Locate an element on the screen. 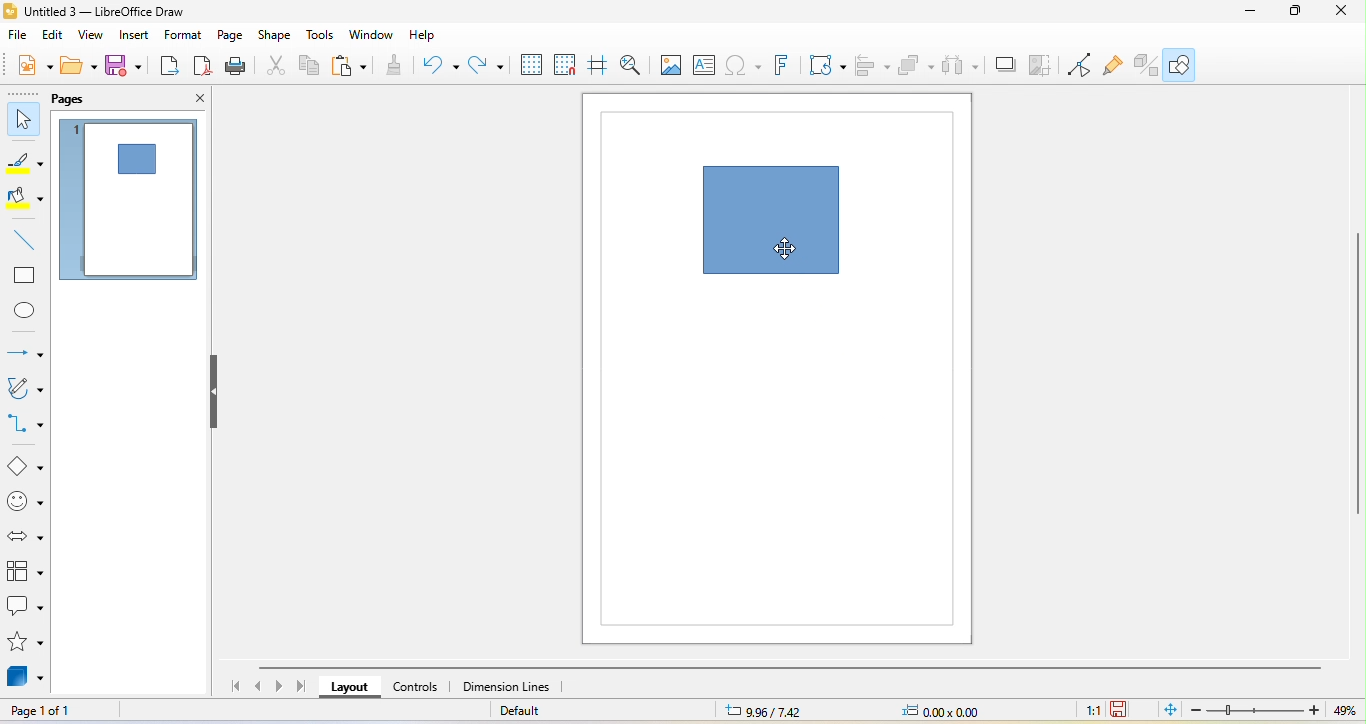 The width and height of the screenshot is (1366, 724). fit page to current window is located at coordinates (1167, 710).